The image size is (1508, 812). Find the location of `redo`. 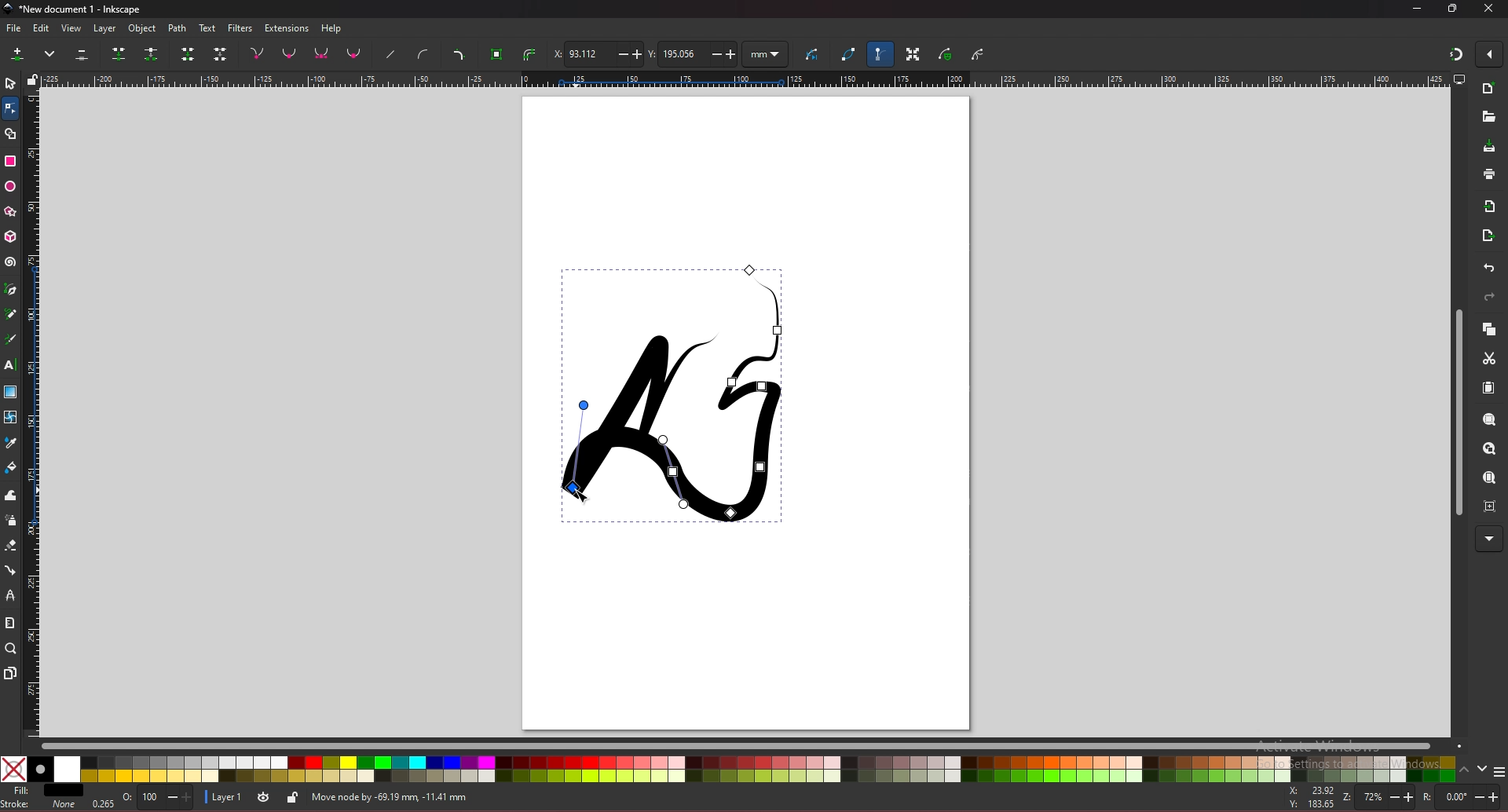

redo is located at coordinates (1489, 297).